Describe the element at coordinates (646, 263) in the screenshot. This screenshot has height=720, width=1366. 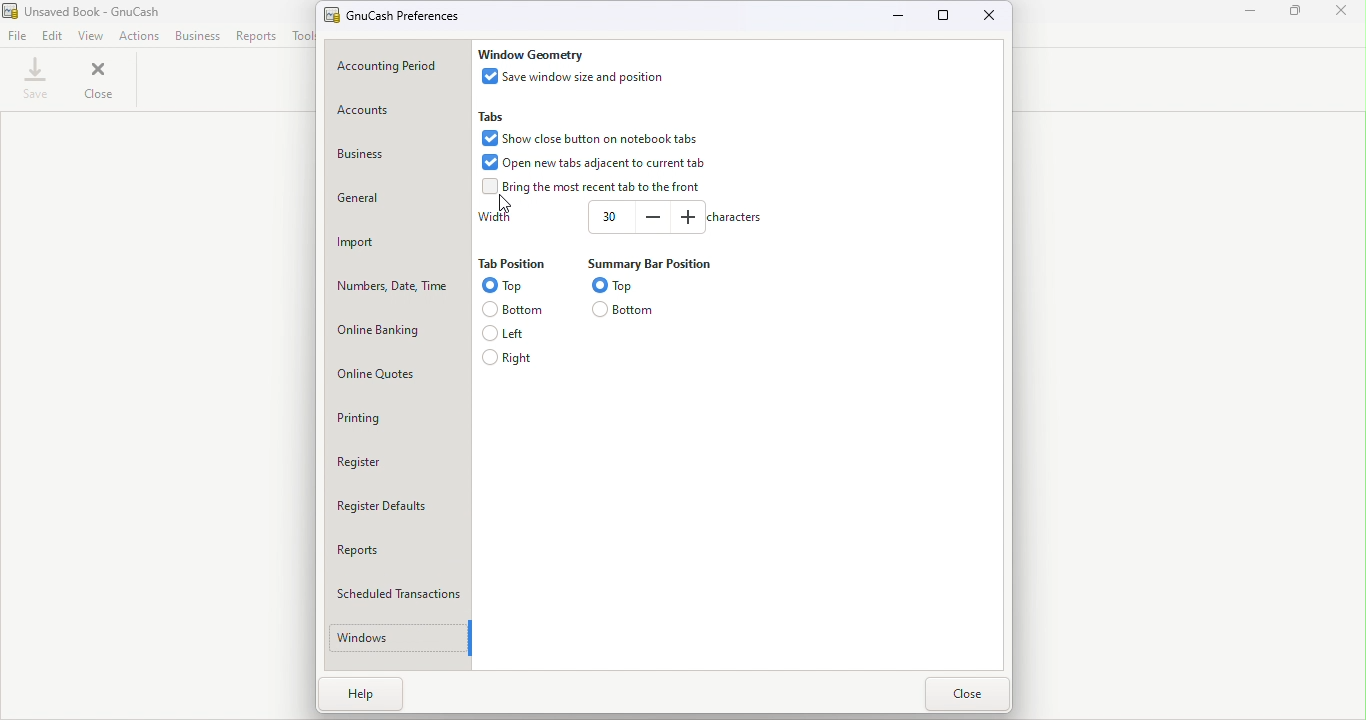
I see `Summary bar position` at that location.